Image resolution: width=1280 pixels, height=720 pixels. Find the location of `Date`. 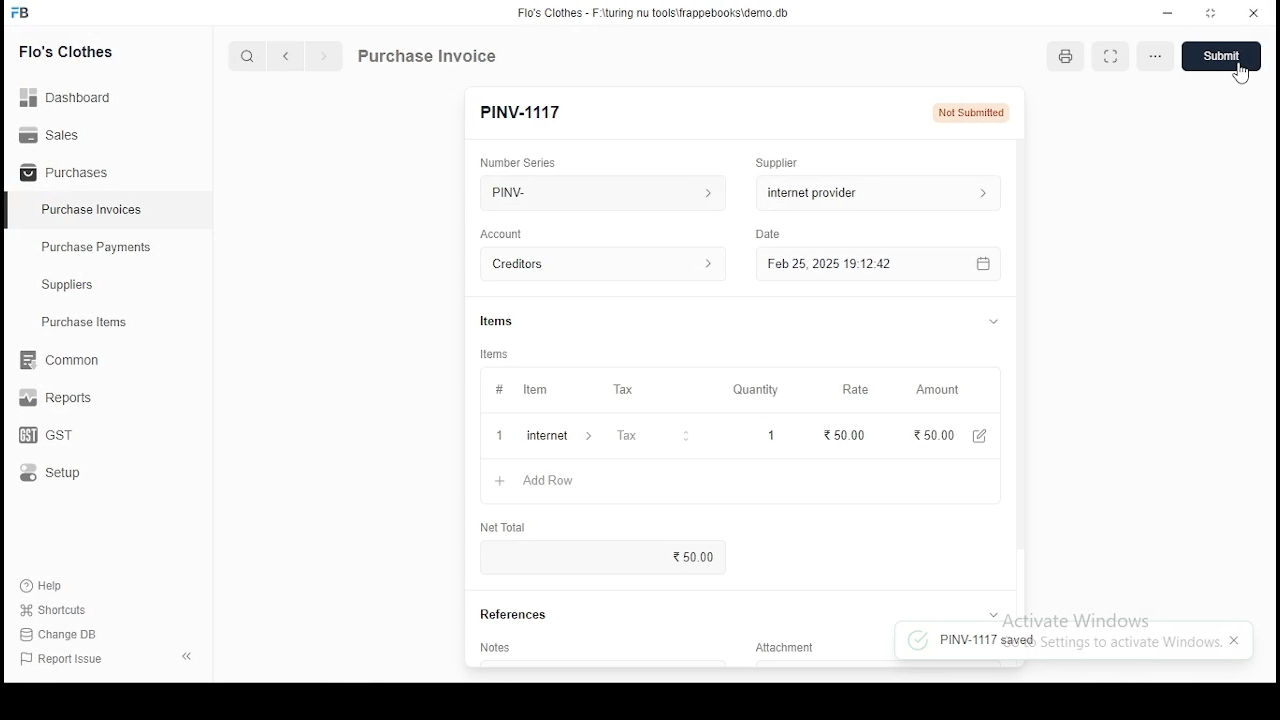

Date is located at coordinates (770, 235).